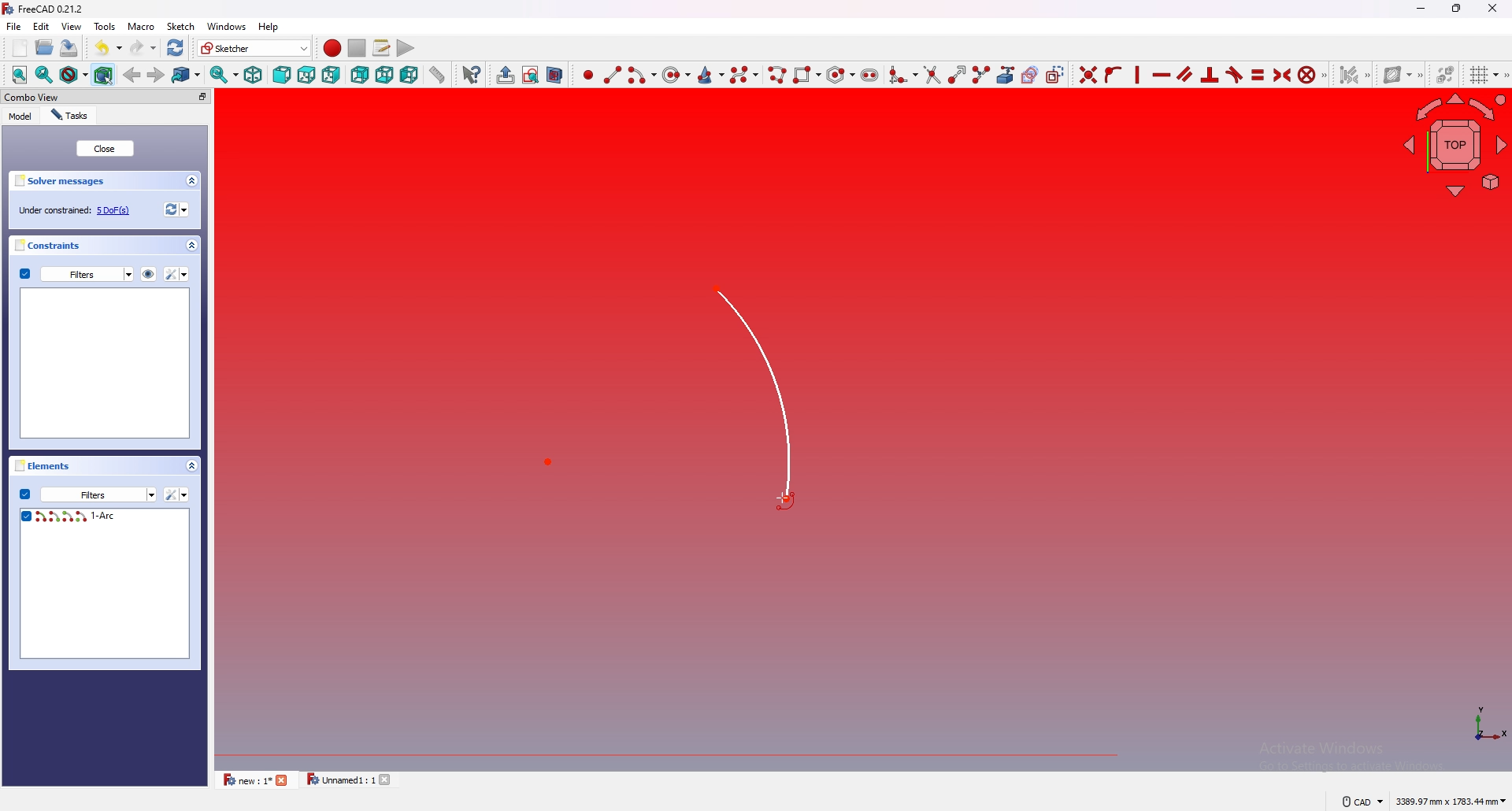 This screenshot has height=811, width=1512. I want to click on constraints, so click(54, 245).